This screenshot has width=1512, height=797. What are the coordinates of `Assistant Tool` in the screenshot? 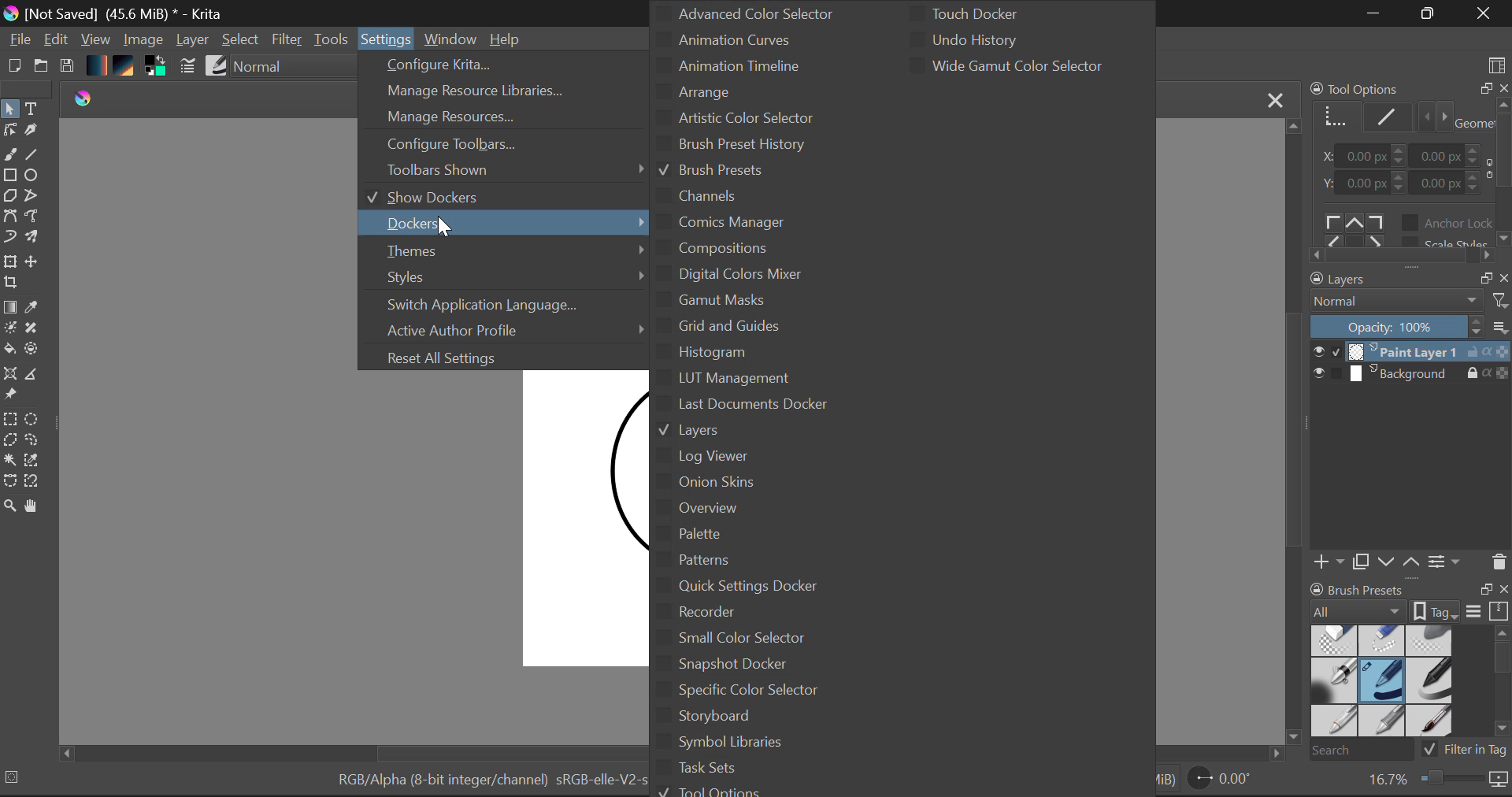 It's located at (11, 375).